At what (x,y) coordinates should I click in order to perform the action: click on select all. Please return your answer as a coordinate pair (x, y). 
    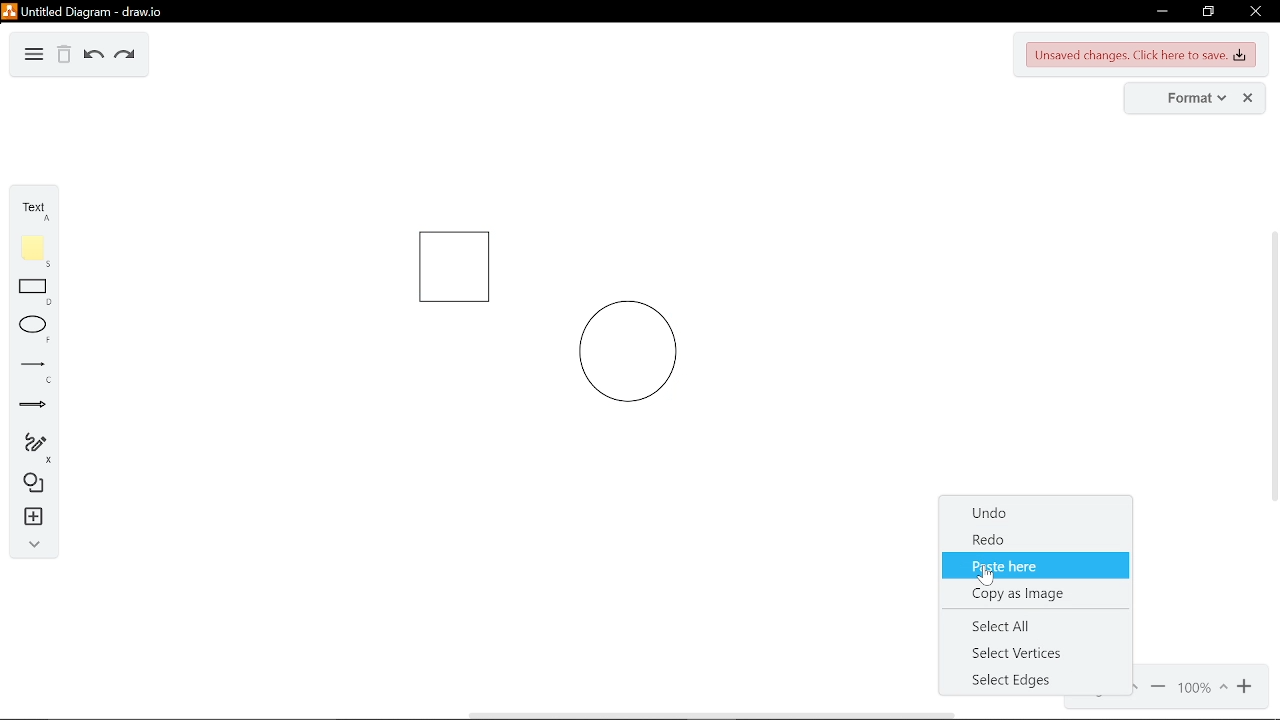
    Looking at the image, I should click on (1029, 625).